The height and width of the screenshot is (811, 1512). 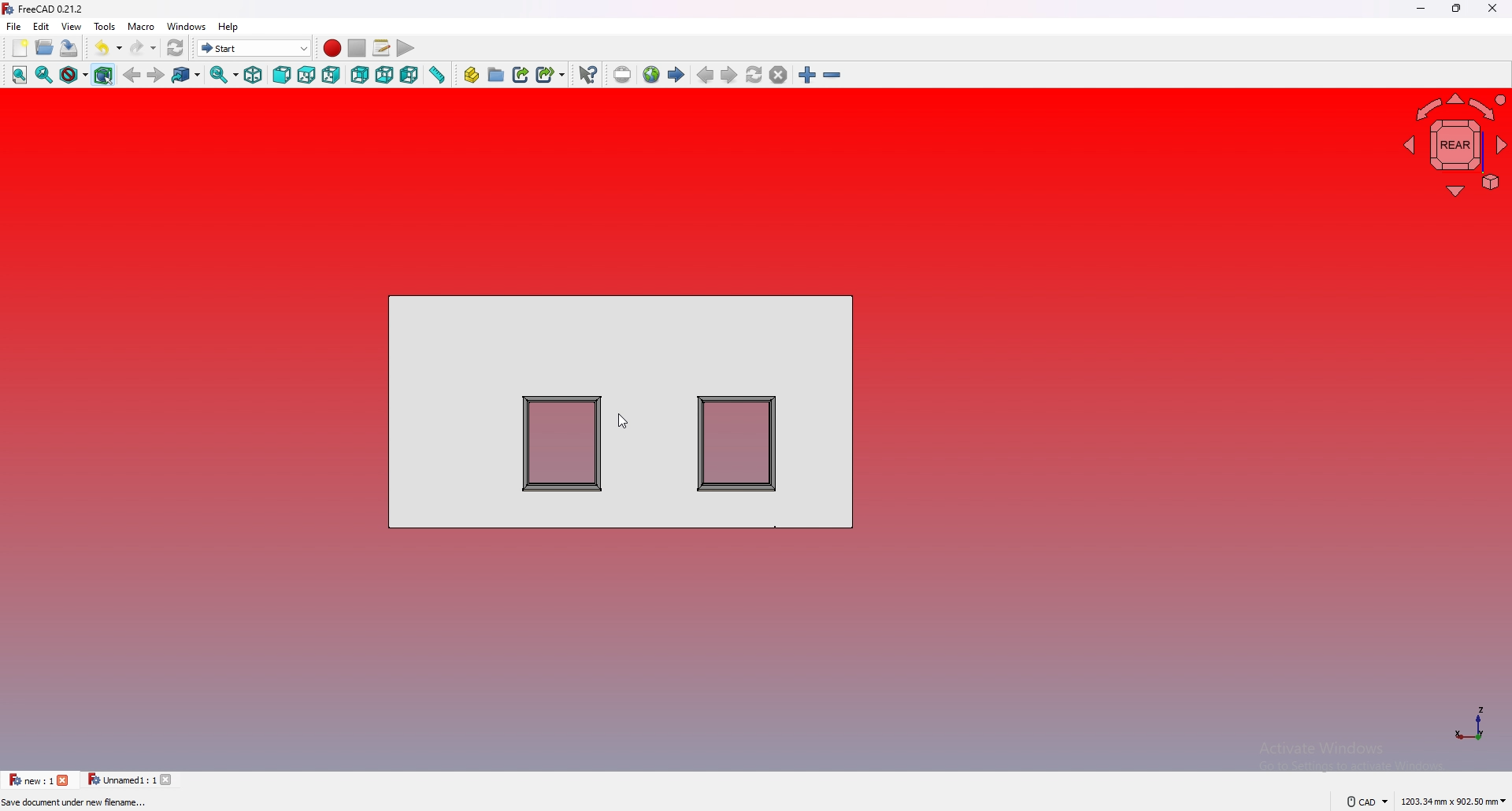 I want to click on close, so click(x=169, y=780).